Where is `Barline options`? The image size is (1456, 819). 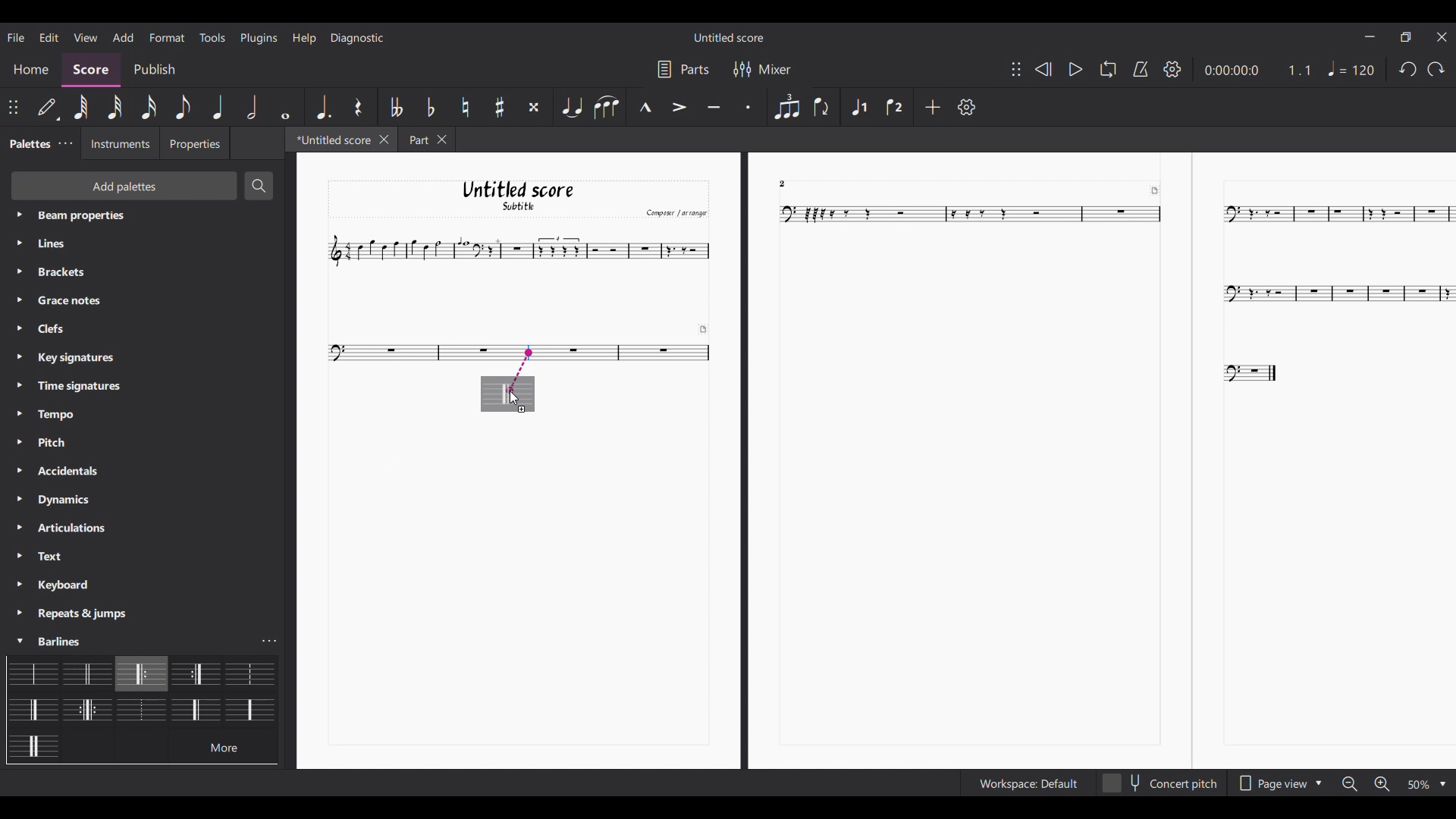
Barline options is located at coordinates (246, 708).